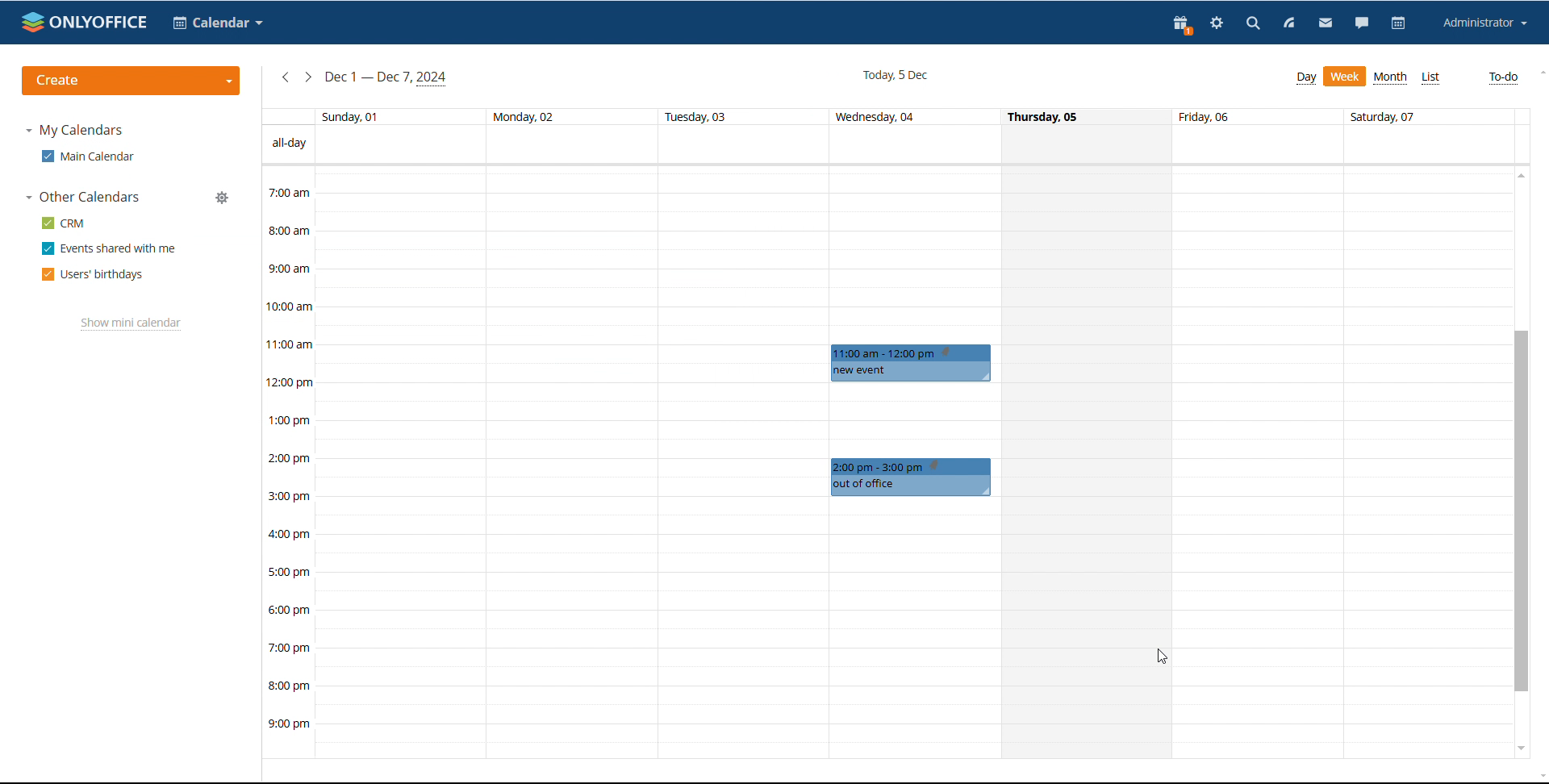 The width and height of the screenshot is (1549, 784). Describe the element at coordinates (915, 363) in the screenshot. I see `scheduled events` at that location.